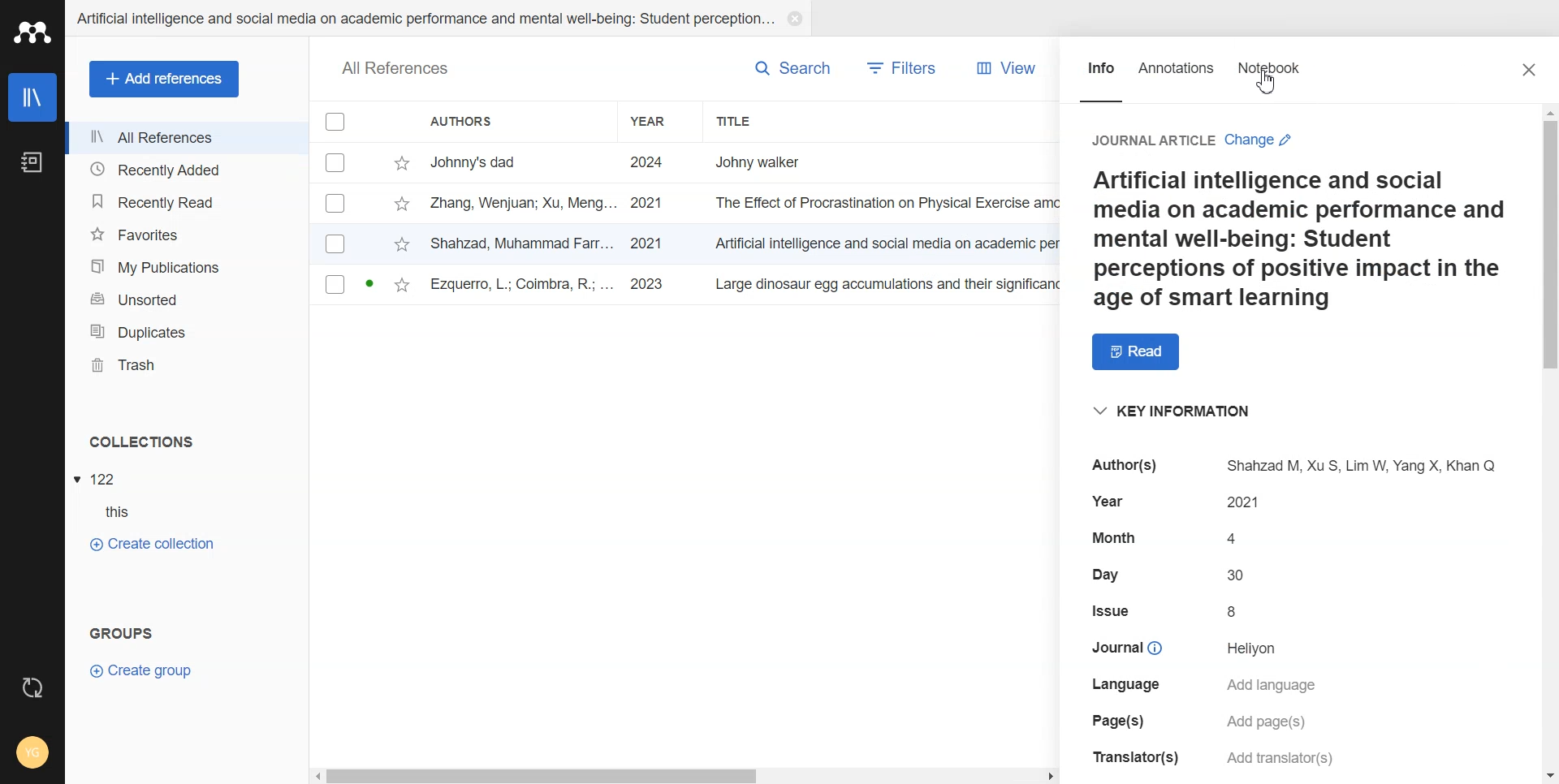  What do you see at coordinates (186, 332) in the screenshot?
I see `Duplicates` at bounding box center [186, 332].